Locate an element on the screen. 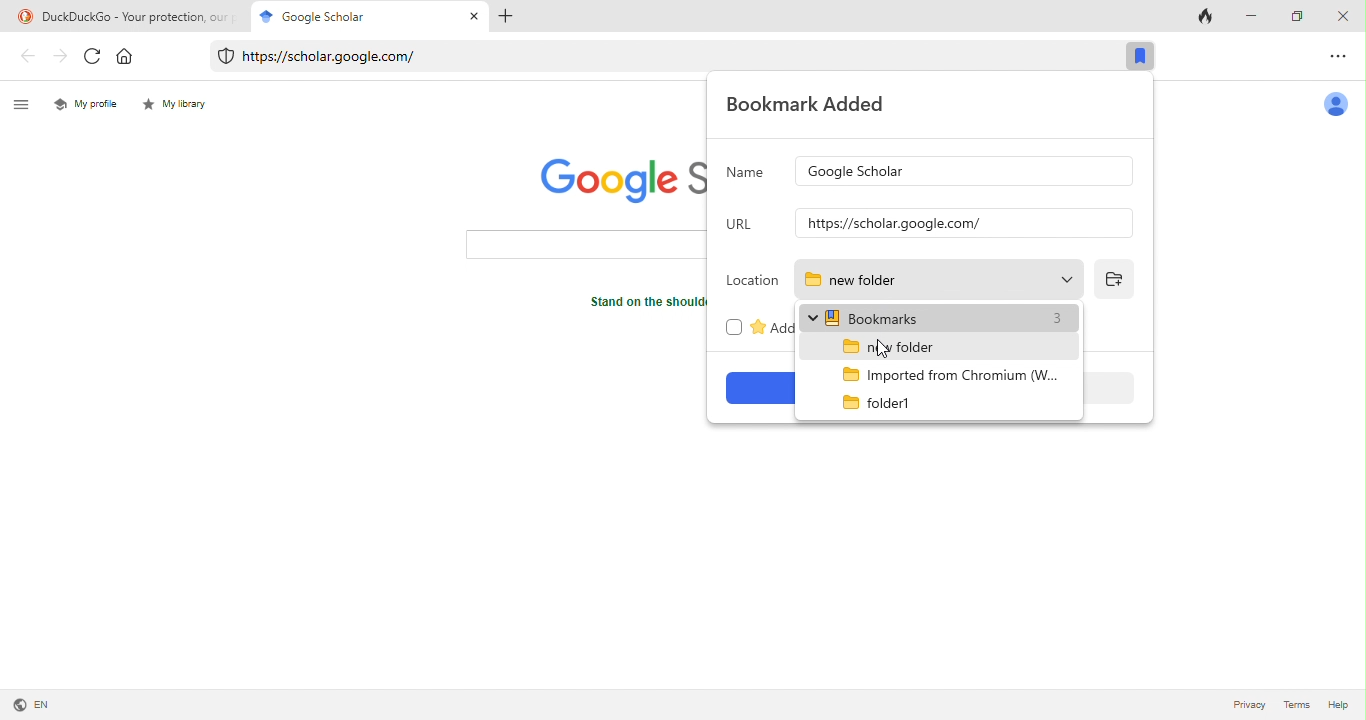 This screenshot has height=720, width=1366. help is located at coordinates (1337, 706).